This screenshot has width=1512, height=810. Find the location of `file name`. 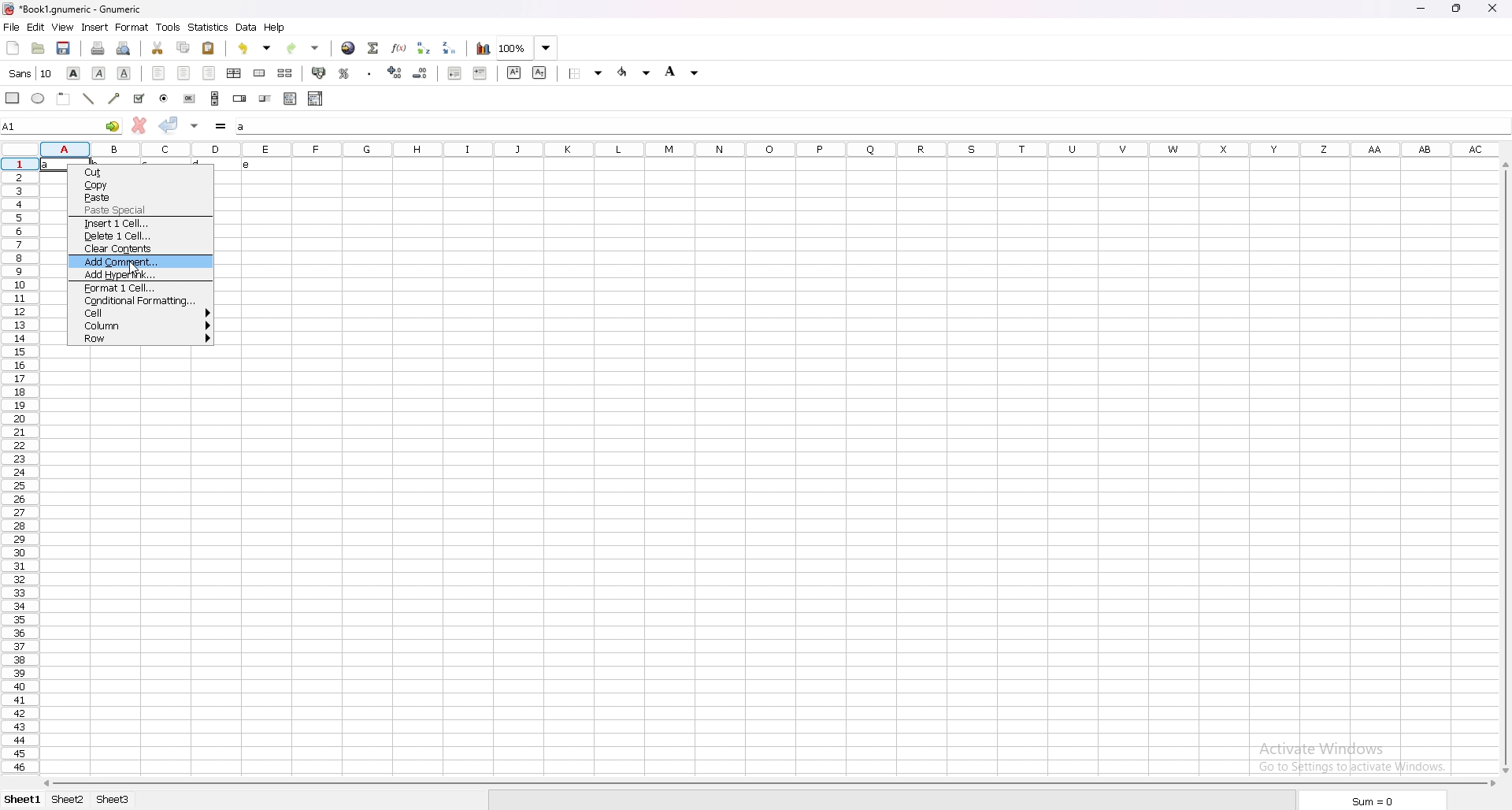

file name is located at coordinates (73, 9).